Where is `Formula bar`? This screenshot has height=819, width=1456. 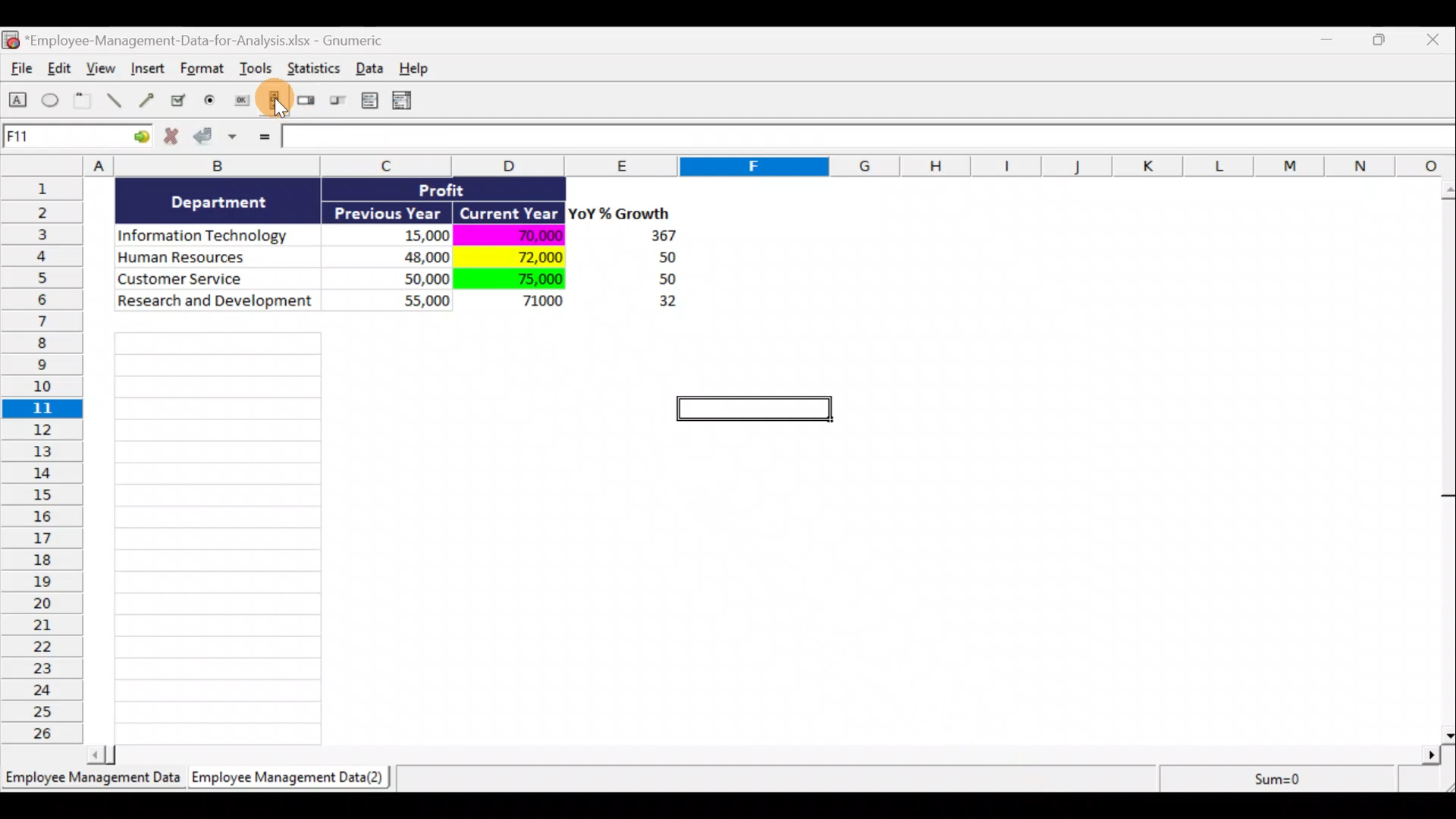 Formula bar is located at coordinates (870, 140).